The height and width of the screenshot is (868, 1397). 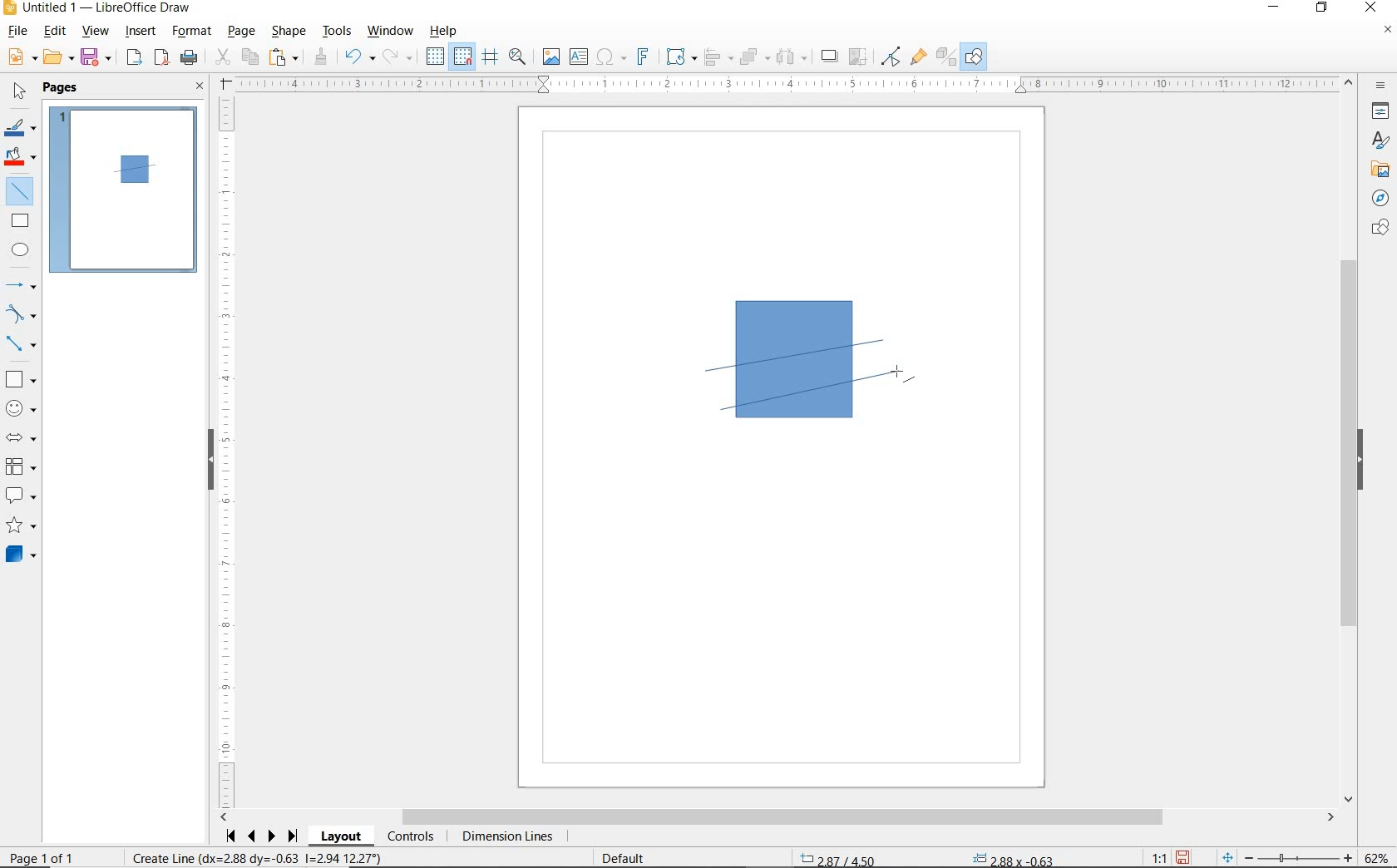 What do you see at coordinates (263, 836) in the screenshot?
I see `SCROLL NEXT` at bounding box center [263, 836].